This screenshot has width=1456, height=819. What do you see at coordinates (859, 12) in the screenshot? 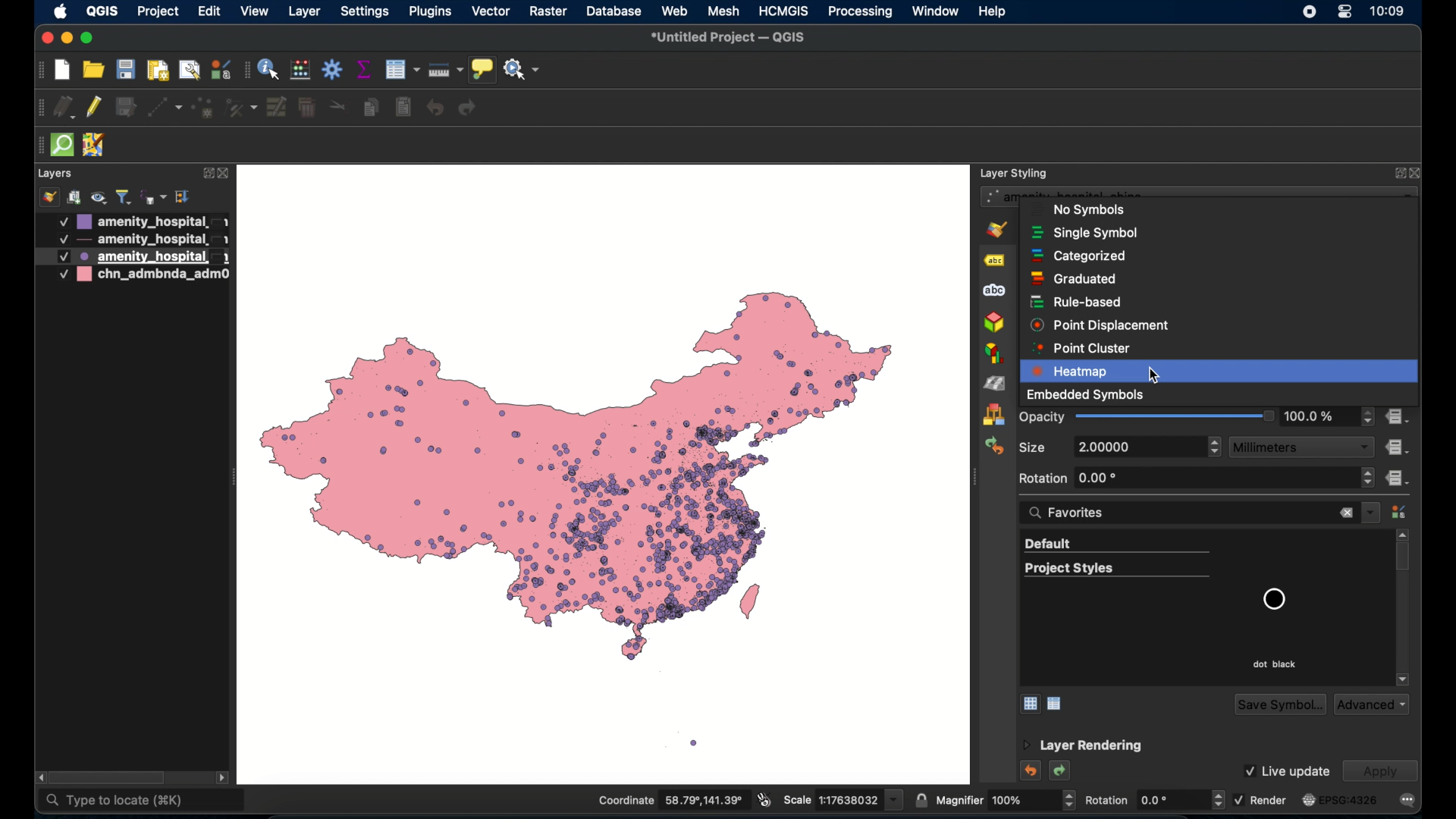
I see `processing` at bounding box center [859, 12].